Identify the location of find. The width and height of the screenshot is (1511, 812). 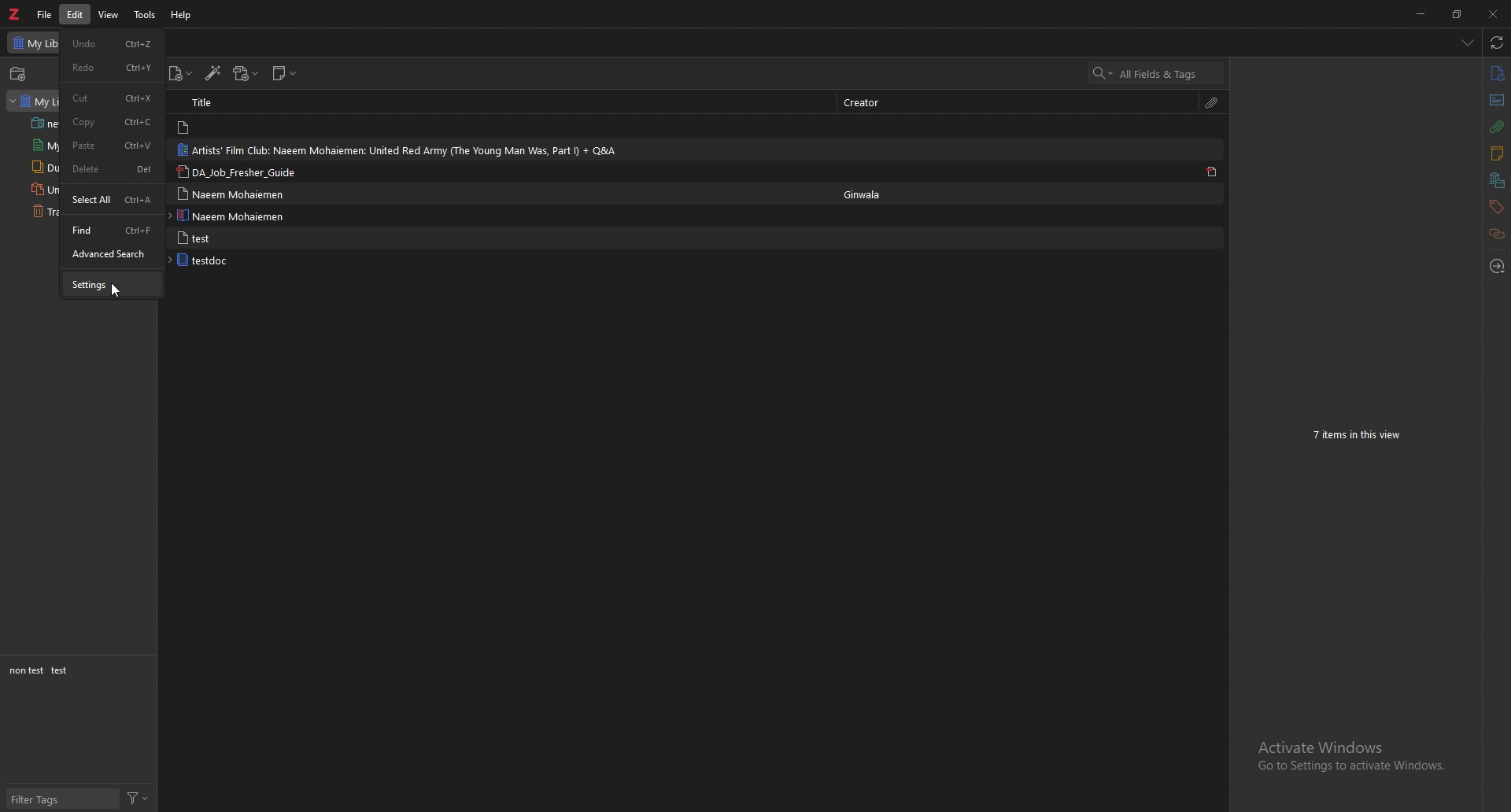
(112, 230).